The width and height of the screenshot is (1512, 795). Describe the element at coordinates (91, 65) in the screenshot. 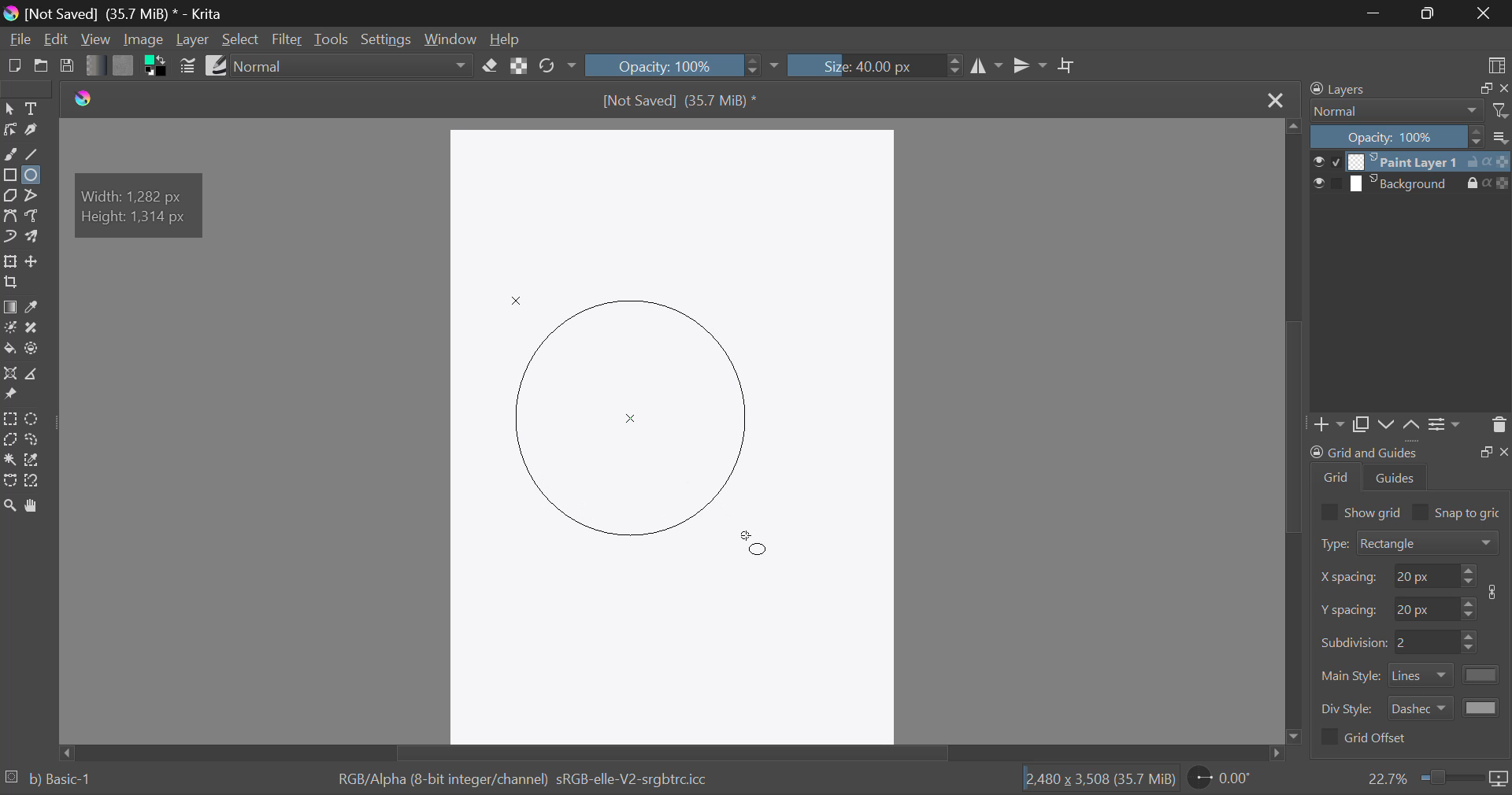

I see `Gradient` at that location.